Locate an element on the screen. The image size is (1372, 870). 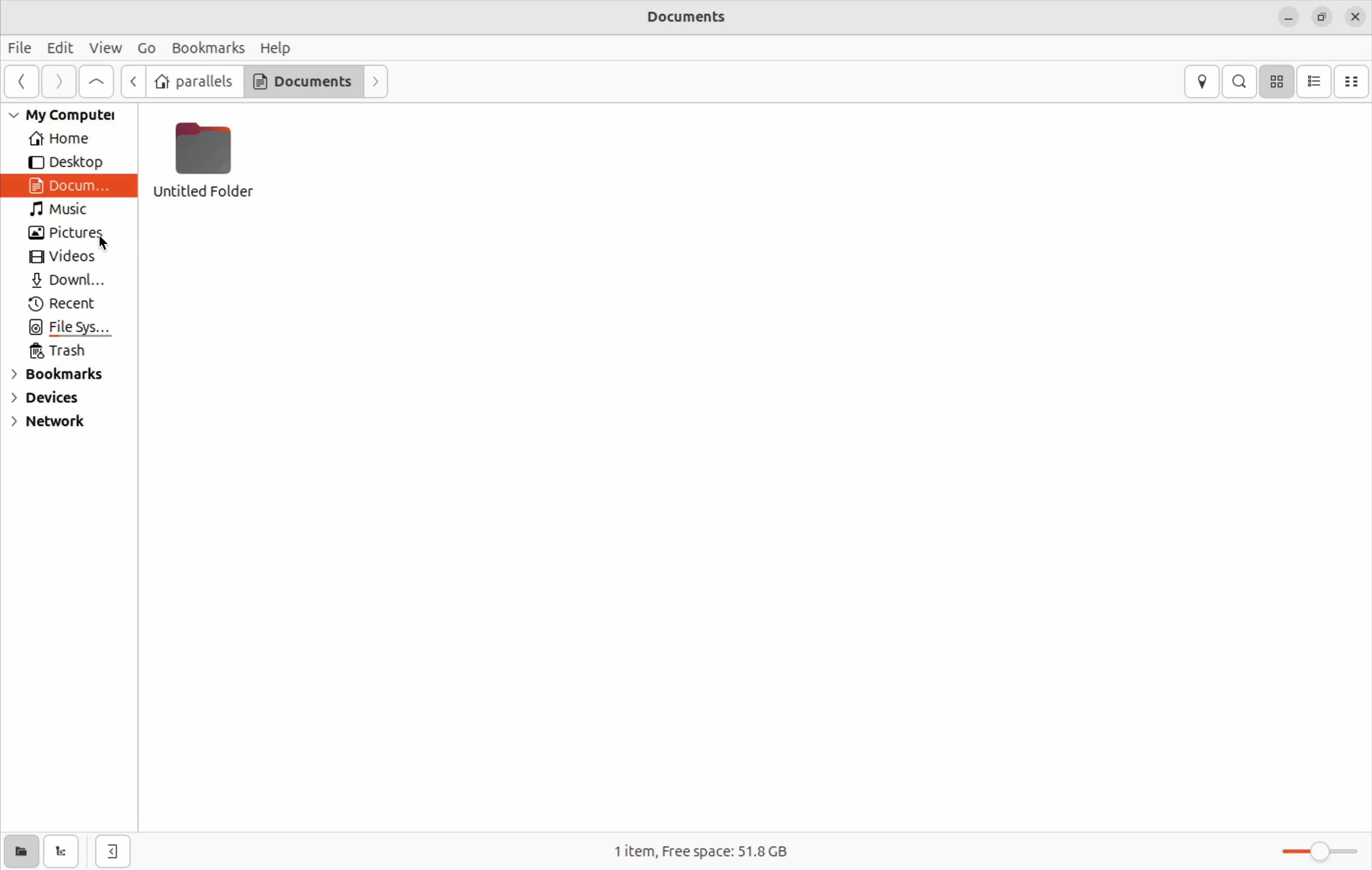
minimize is located at coordinates (1288, 18).